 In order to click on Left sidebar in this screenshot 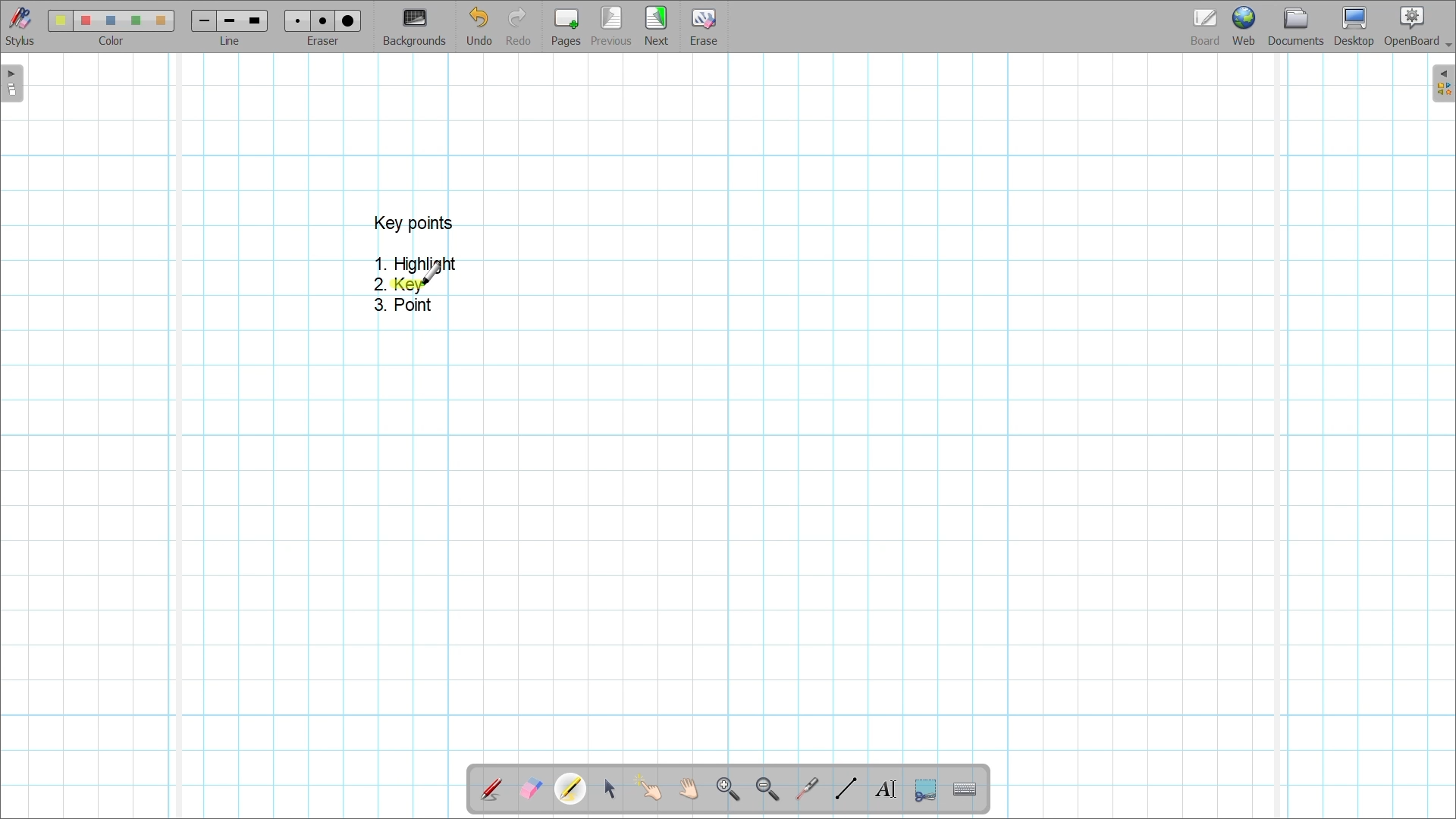, I will do `click(12, 83)`.